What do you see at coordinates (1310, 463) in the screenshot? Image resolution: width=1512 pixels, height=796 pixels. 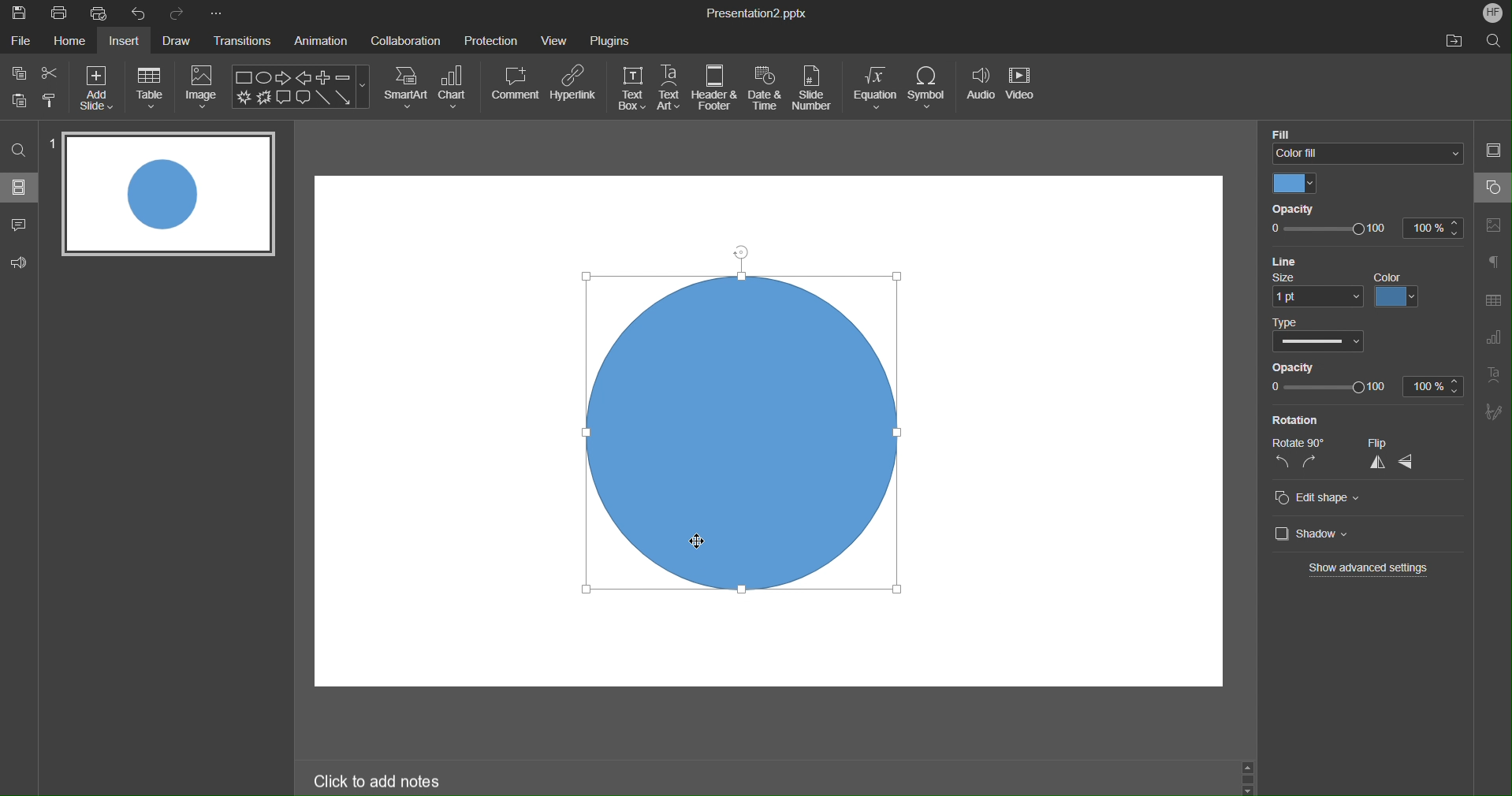 I see `right` at bounding box center [1310, 463].